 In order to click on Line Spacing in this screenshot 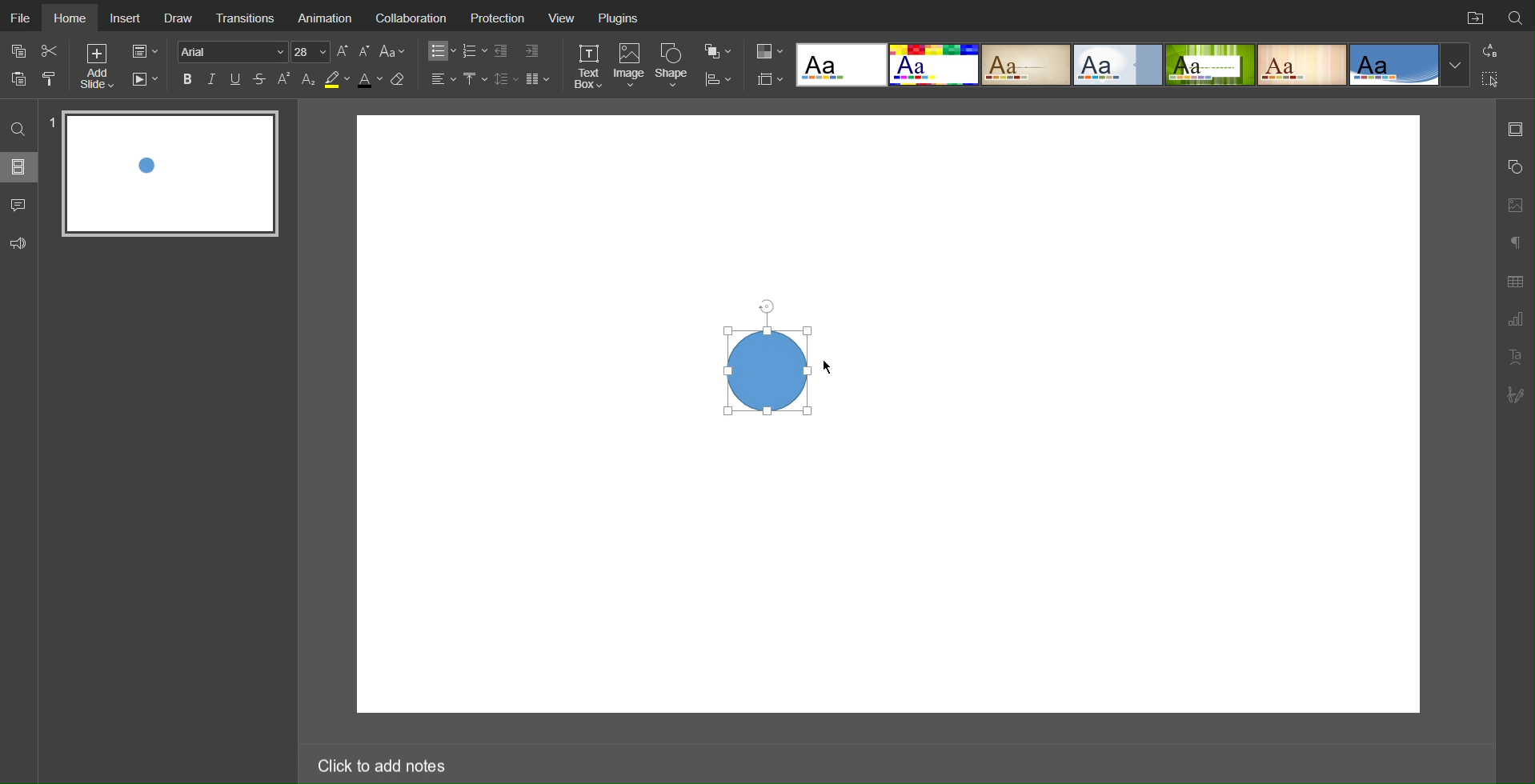, I will do `click(506, 78)`.